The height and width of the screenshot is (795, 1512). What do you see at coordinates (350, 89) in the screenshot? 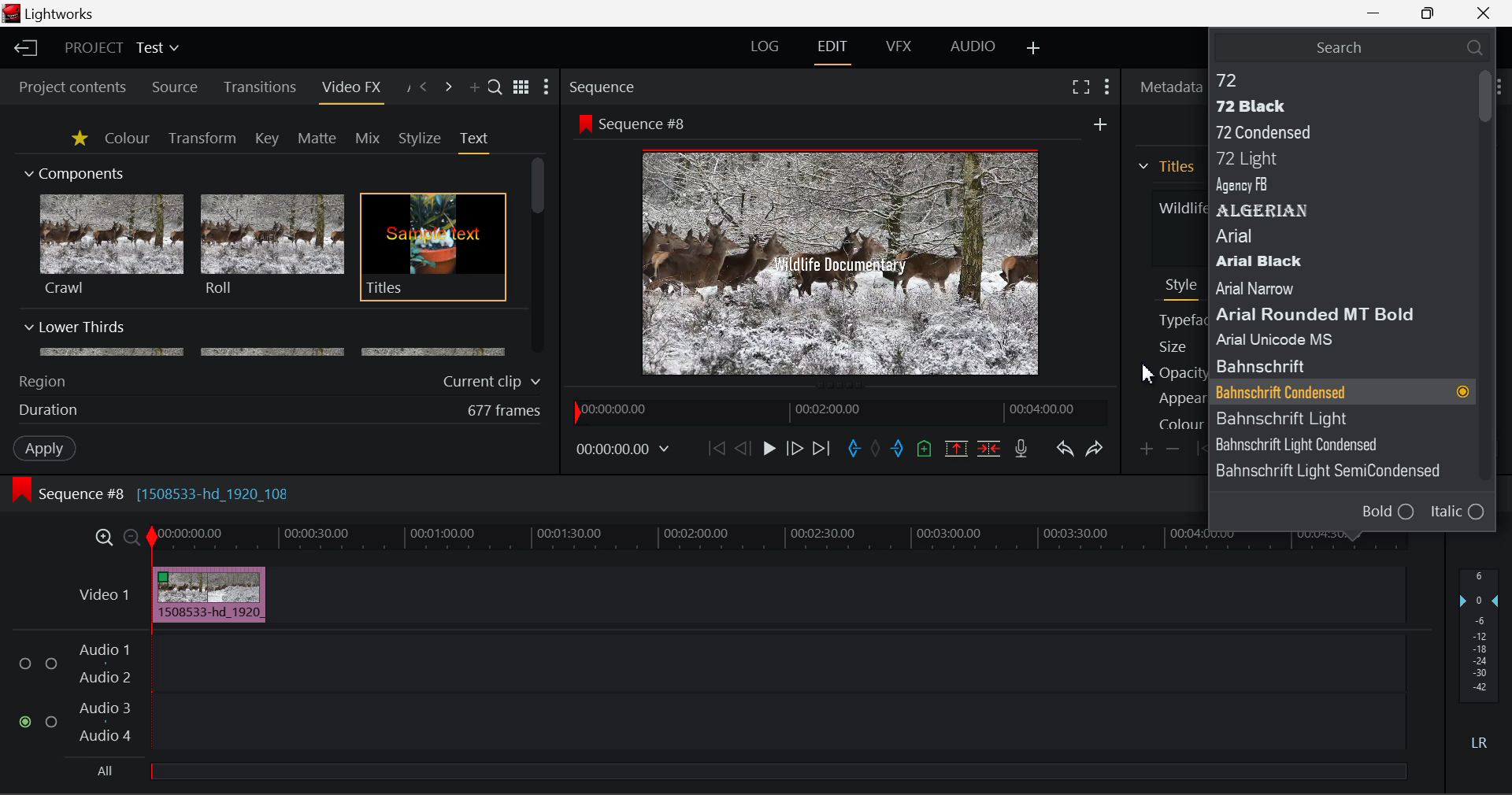
I see `Video FX Panel Open` at bounding box center [350, 89].